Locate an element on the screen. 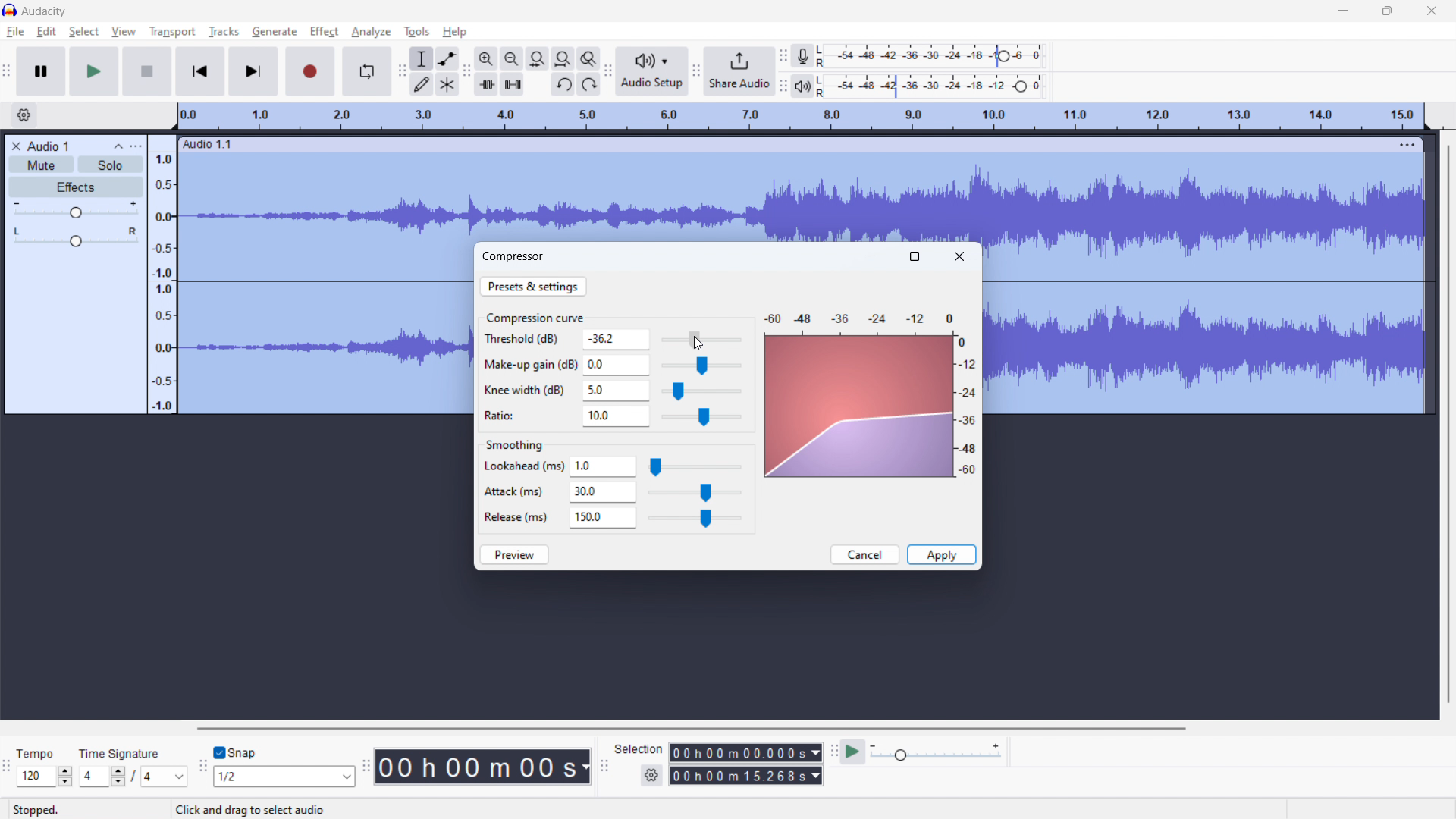 The height and width of the screenshot is (819, 1456). record is located at coordinates (311, 71).